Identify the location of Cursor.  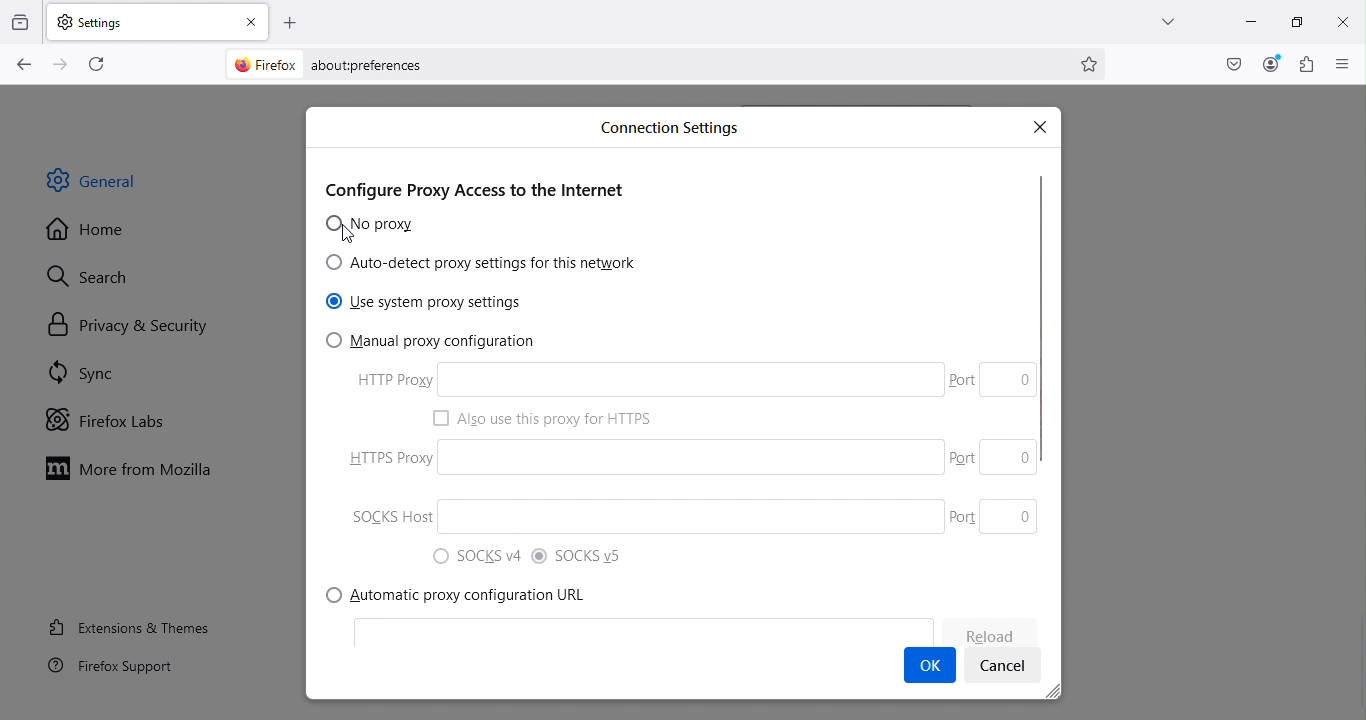
(349, 235).